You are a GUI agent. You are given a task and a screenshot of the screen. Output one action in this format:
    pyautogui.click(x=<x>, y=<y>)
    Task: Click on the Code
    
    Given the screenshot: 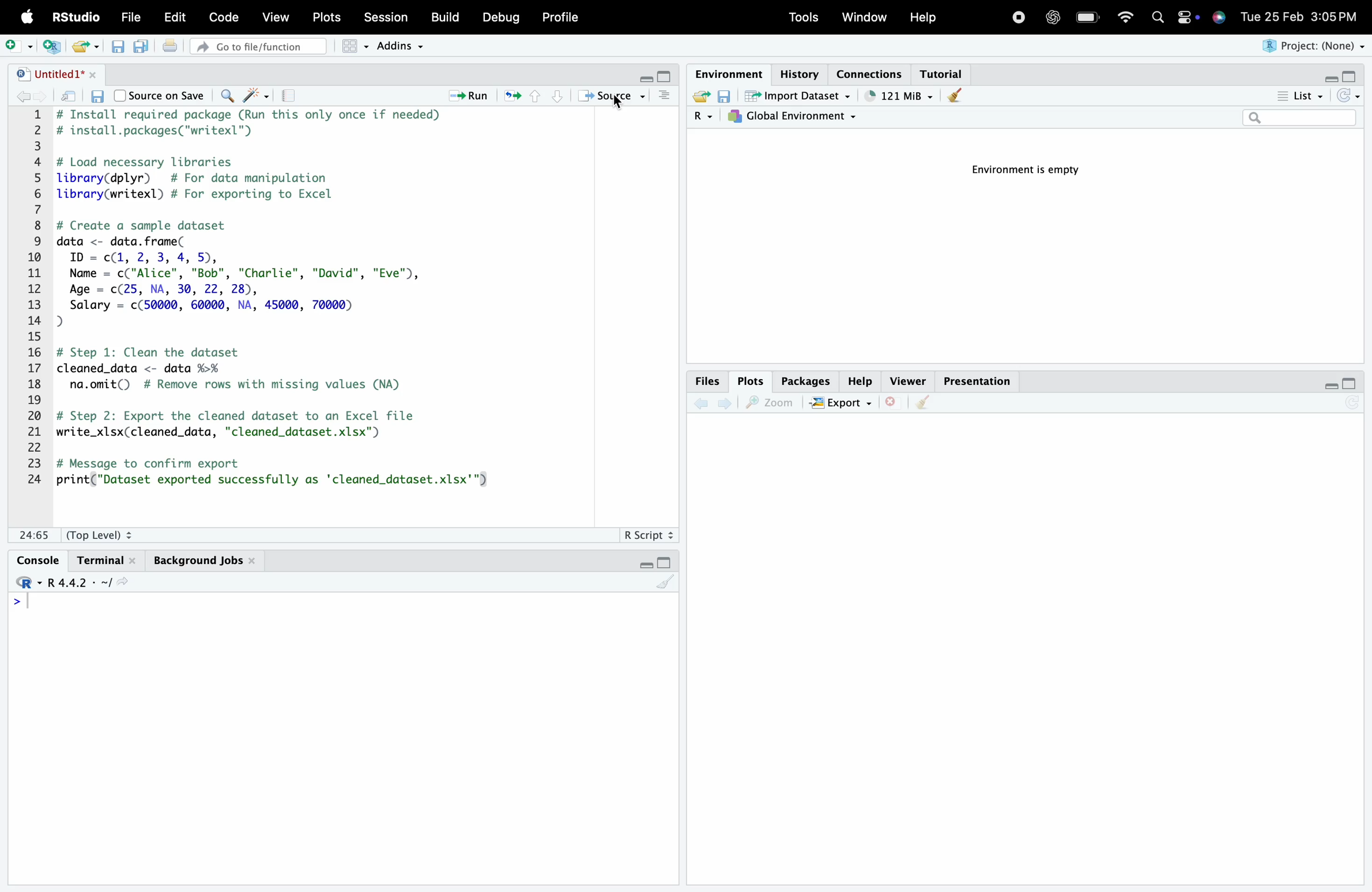 What is the action you would take?
    pyautogui.click(x=225, y=17)
    